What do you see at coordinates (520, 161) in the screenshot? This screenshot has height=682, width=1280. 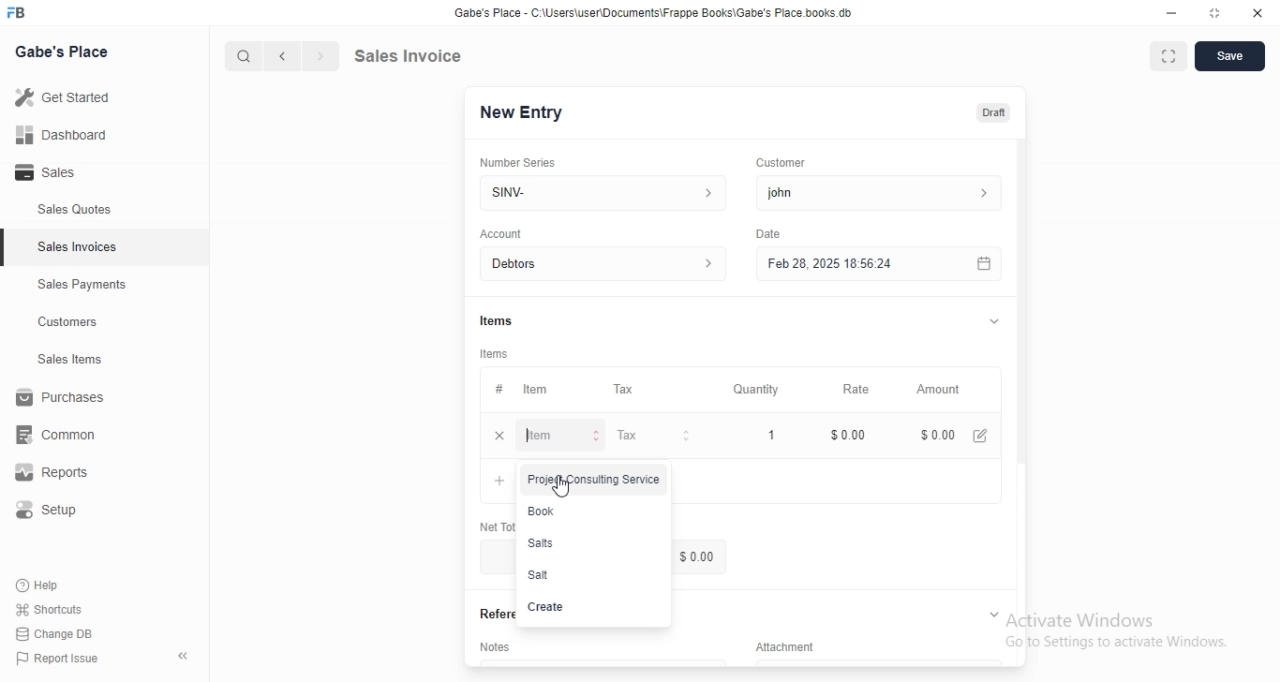 I see `‘Number Series.` at bounding box center [520, 161].